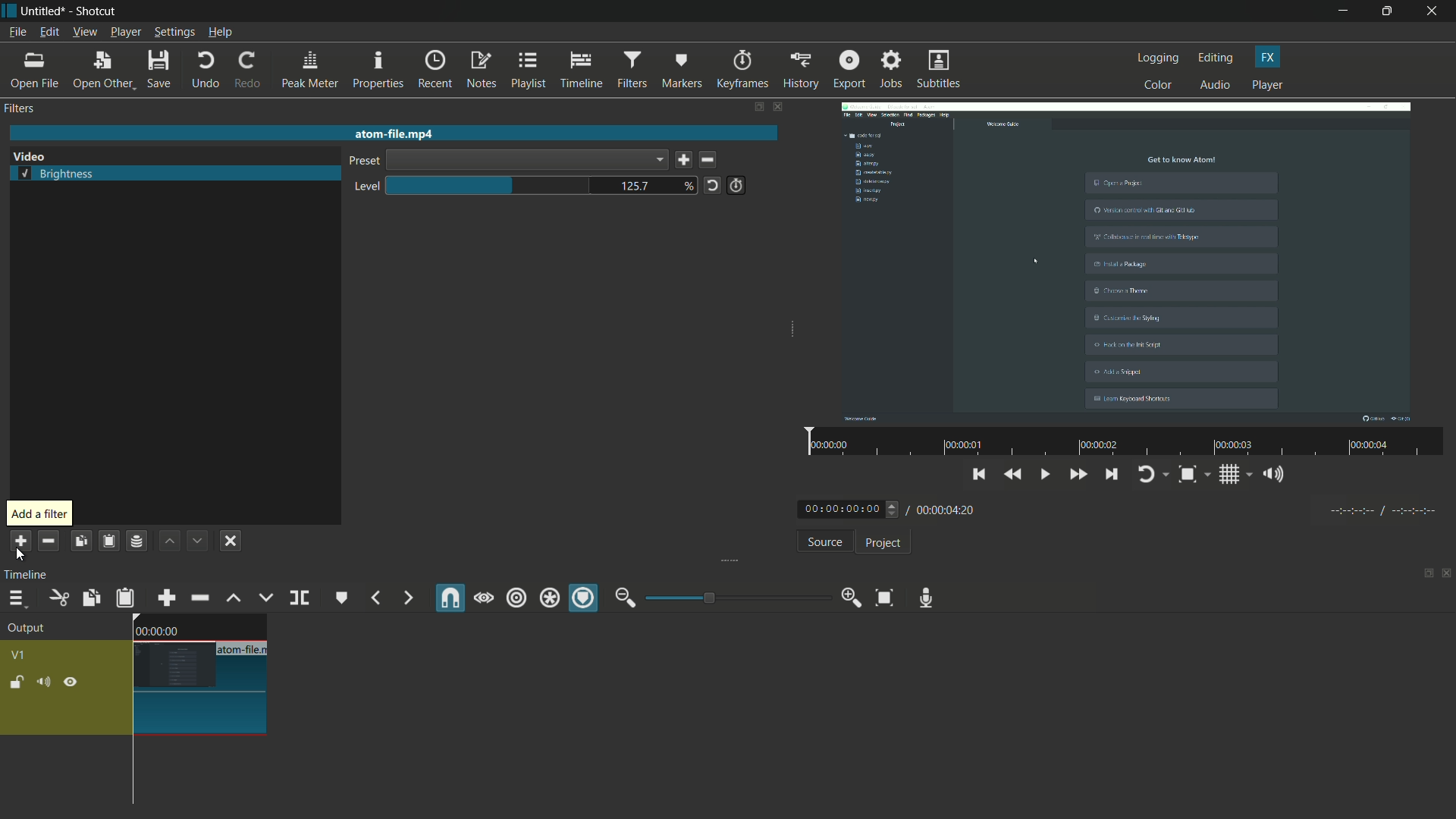 The height and width of the screenshot is (819, 1456). I want to click on next marker, so click(406, 598).